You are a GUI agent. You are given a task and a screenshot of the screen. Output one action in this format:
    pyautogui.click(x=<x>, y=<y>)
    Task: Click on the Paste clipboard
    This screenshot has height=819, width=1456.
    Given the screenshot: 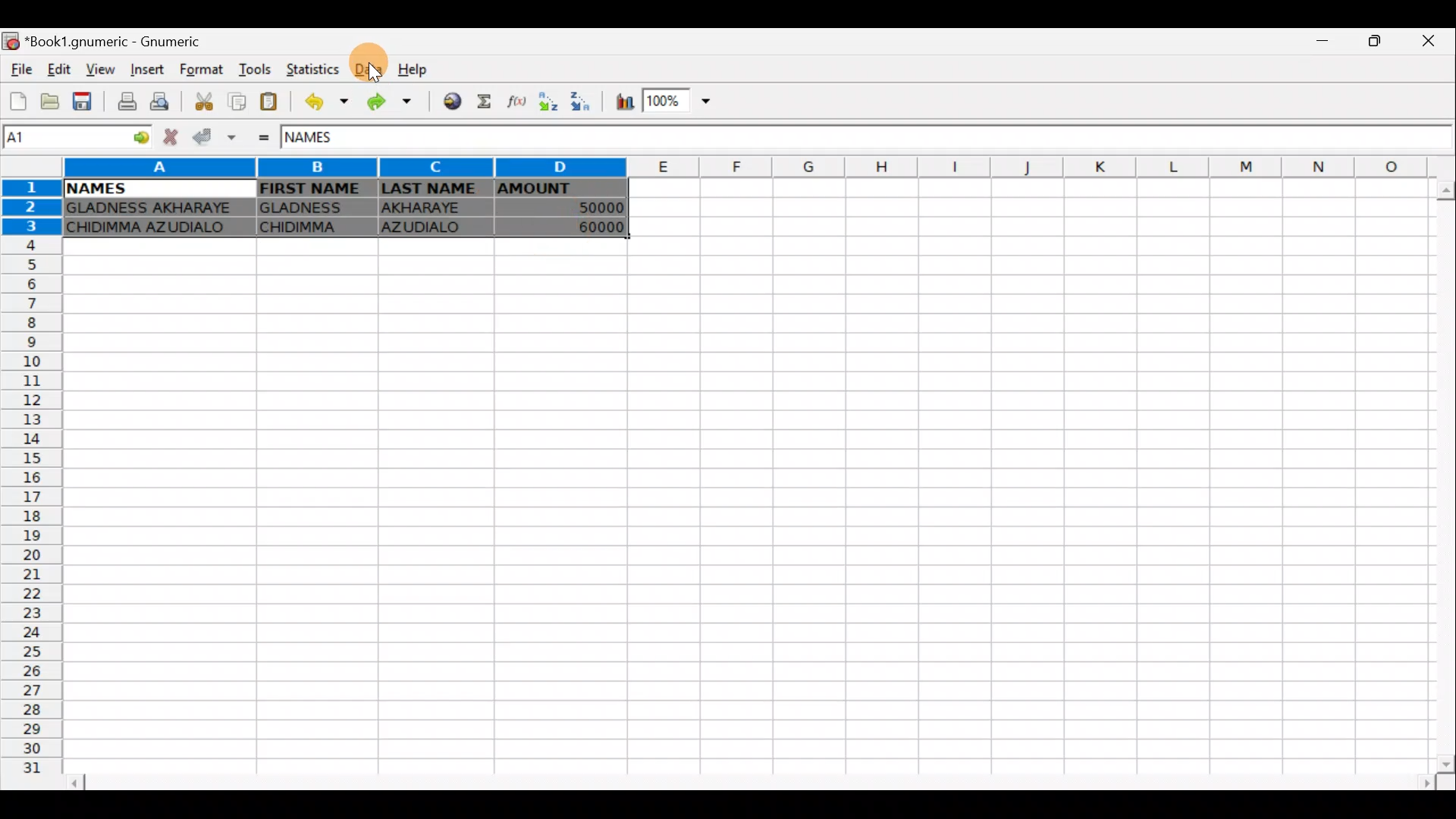 What is the action you would take?
    pyautogui.click(x=268, y=103)
    